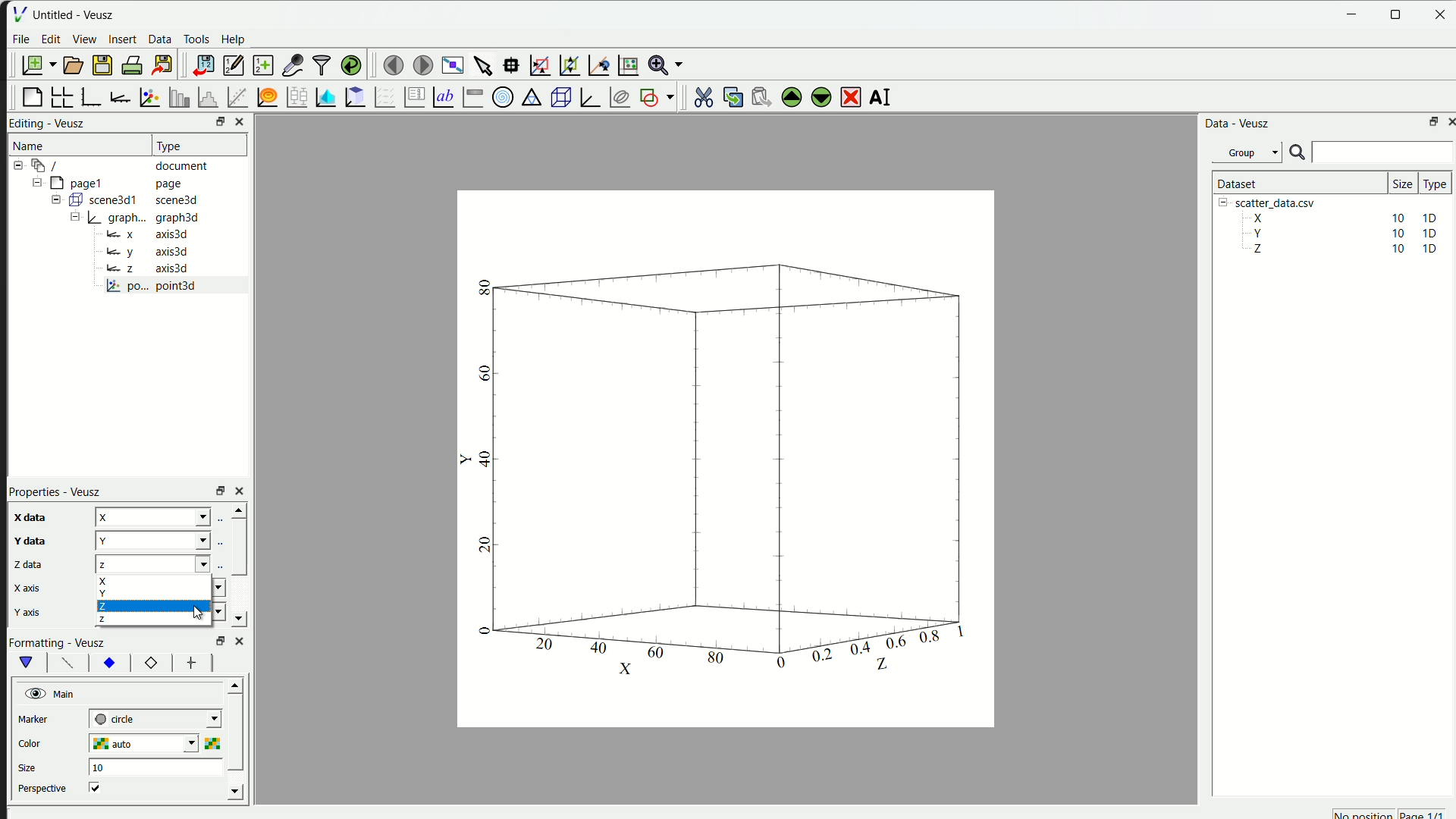  Describe the element at coordinates (122, 40) in the screenshot. I see `insert` at that location.